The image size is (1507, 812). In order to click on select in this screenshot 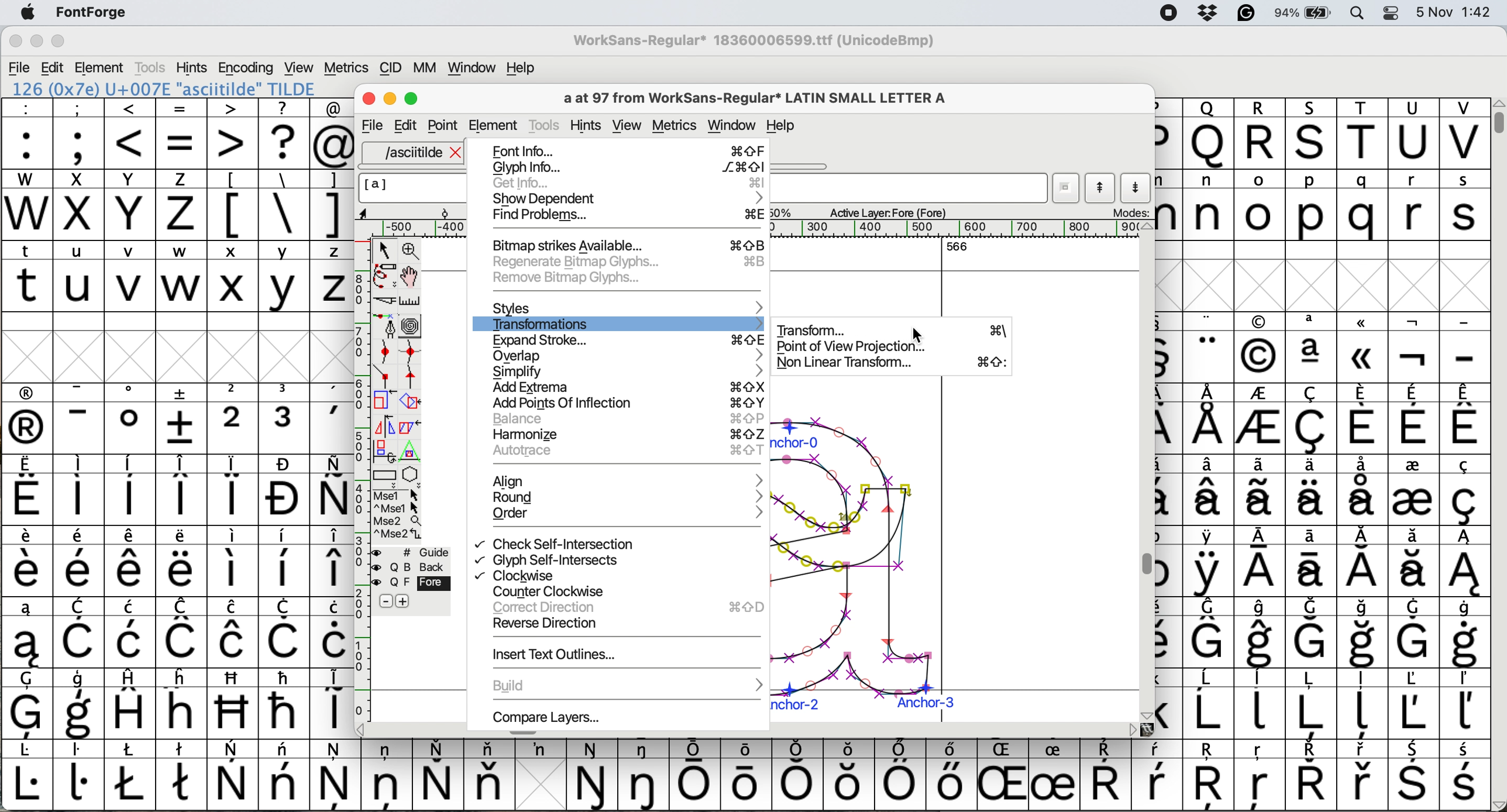, I will do `click(386, 248)`.